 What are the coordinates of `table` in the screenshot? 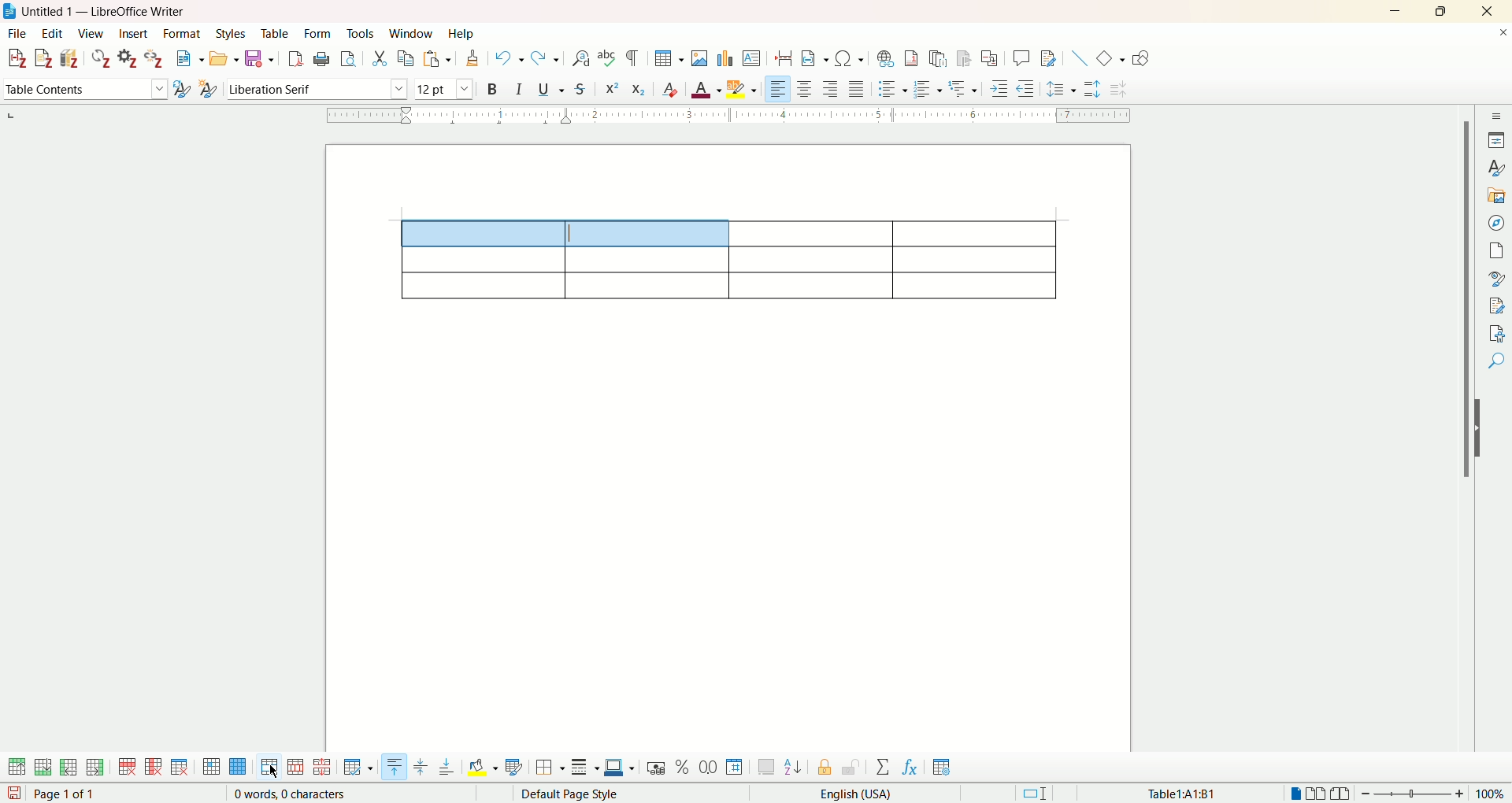 It's located at (276, 32).